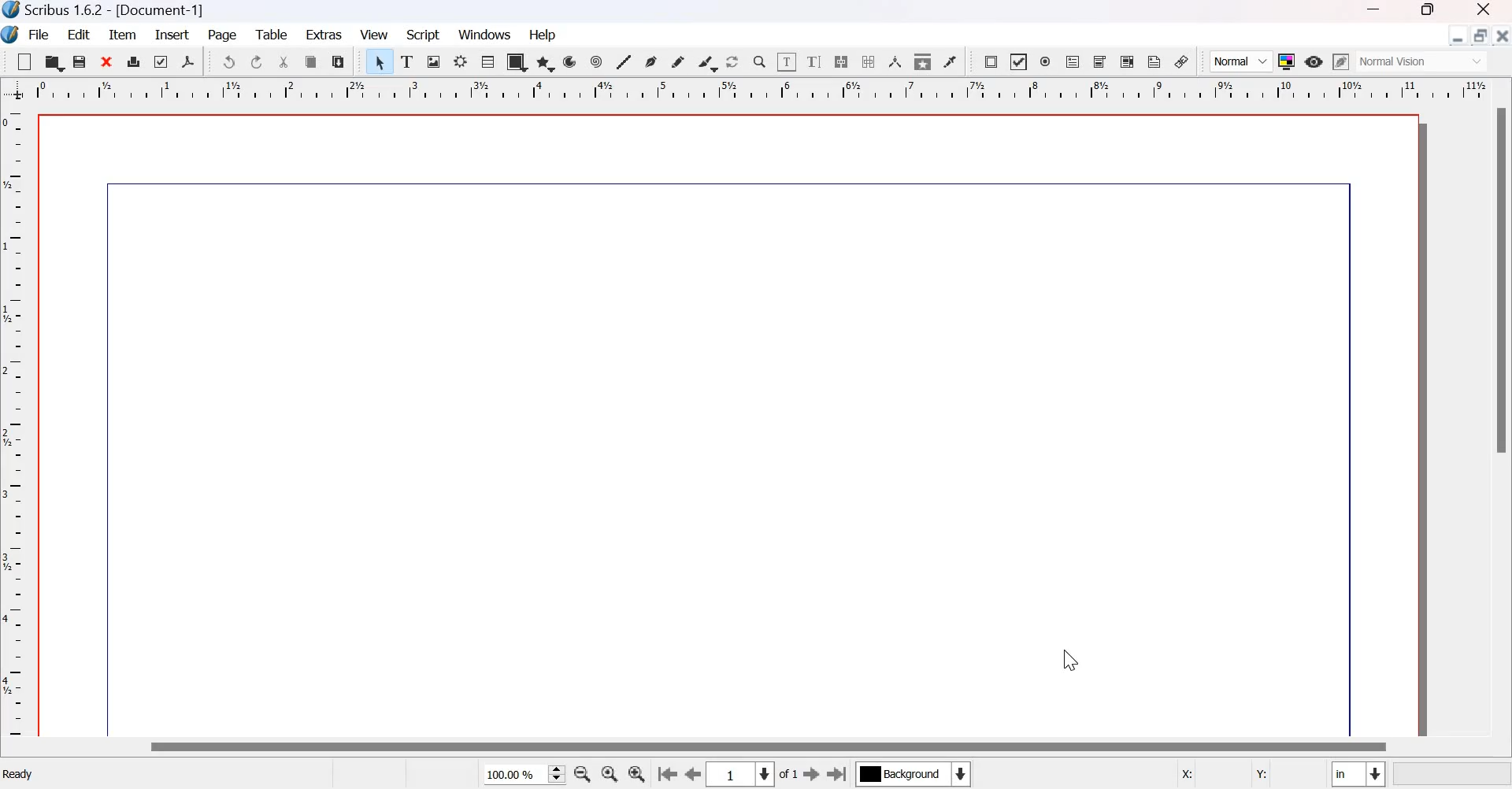 This screenshot has width=1512, height=789. I want to click on View, so click(376, 33).